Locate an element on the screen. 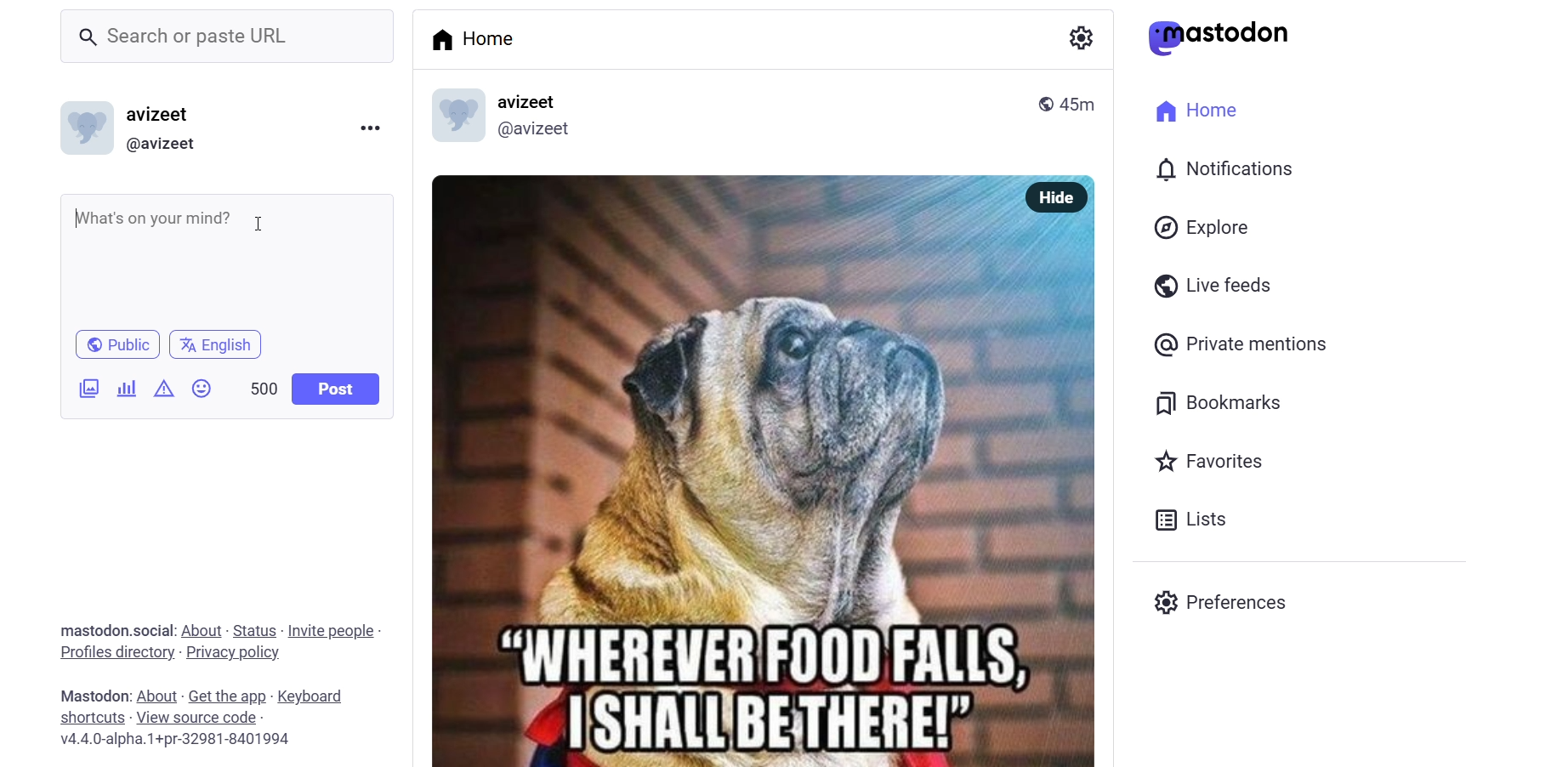   Public is located at coordinates (120, 344).